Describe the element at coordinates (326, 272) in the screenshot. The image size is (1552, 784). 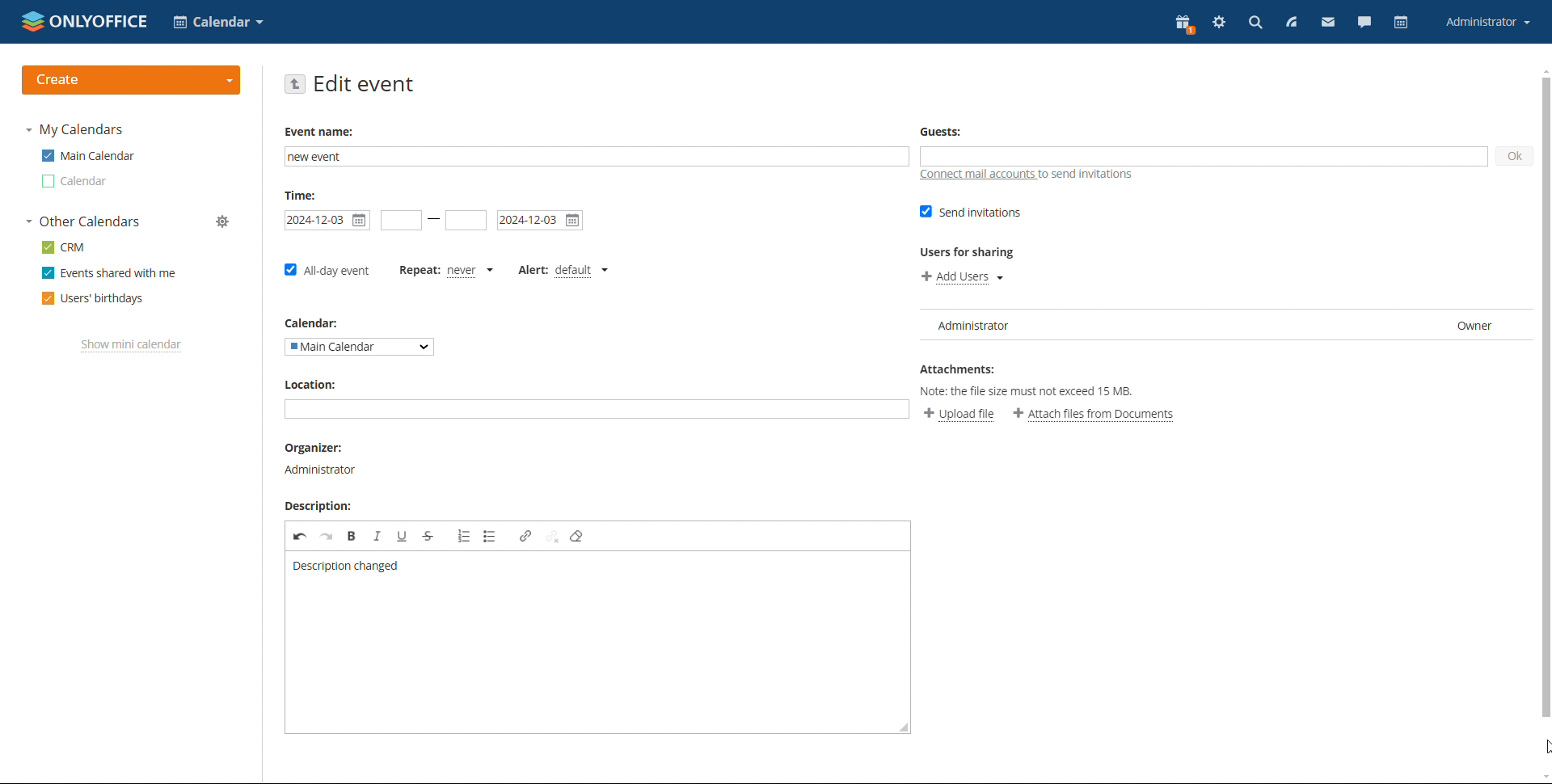
I see `all-day event checkbox` at that location.